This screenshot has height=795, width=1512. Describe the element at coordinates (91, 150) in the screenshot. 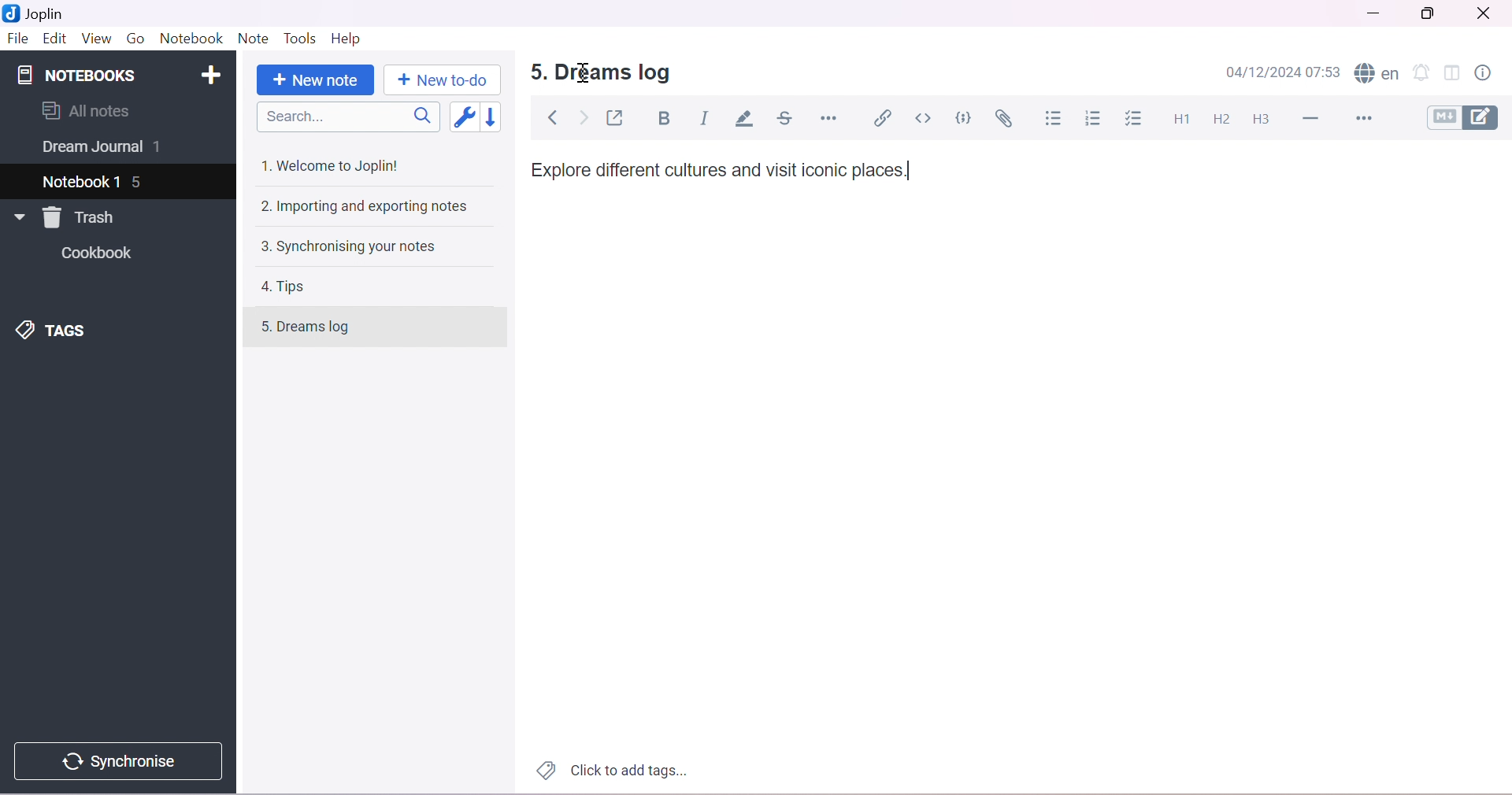

I see `Dream Journal` at that location.